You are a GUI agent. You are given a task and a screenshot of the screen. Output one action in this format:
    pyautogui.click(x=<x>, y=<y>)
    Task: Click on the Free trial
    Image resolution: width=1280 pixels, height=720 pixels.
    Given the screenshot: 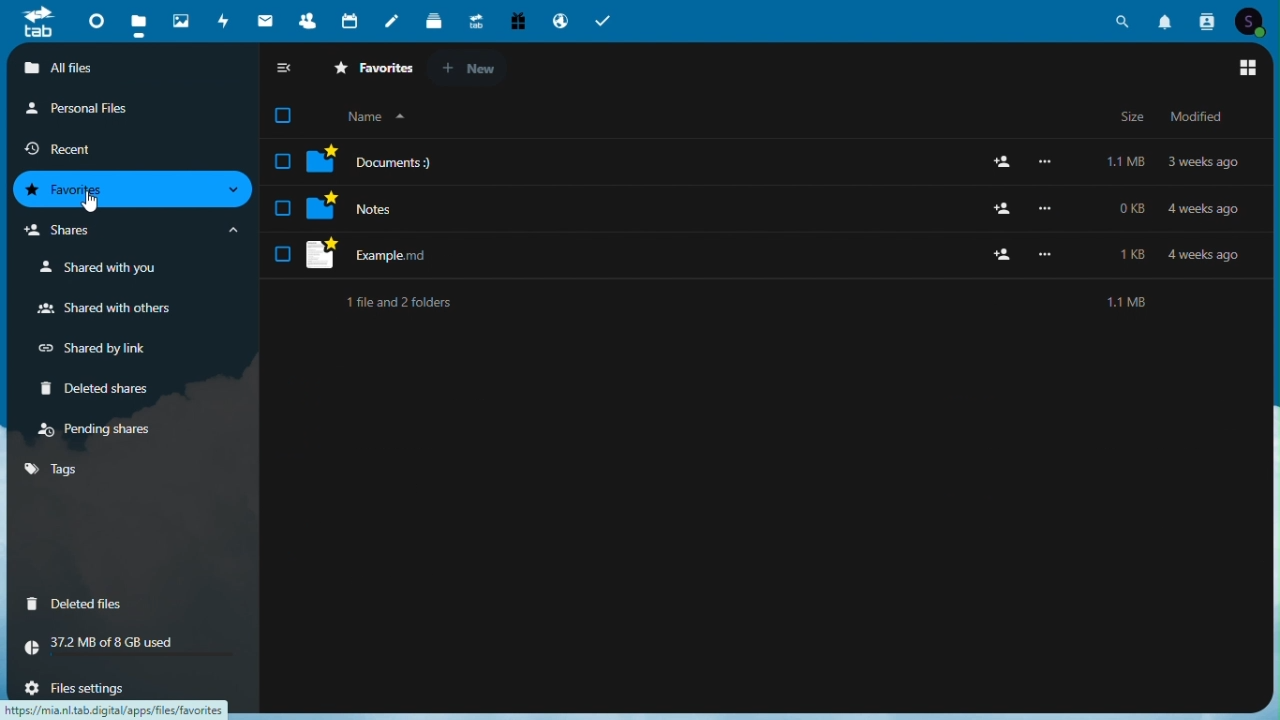 What is the action you would take?
    pyautogui.click(x=516, y=18)
    